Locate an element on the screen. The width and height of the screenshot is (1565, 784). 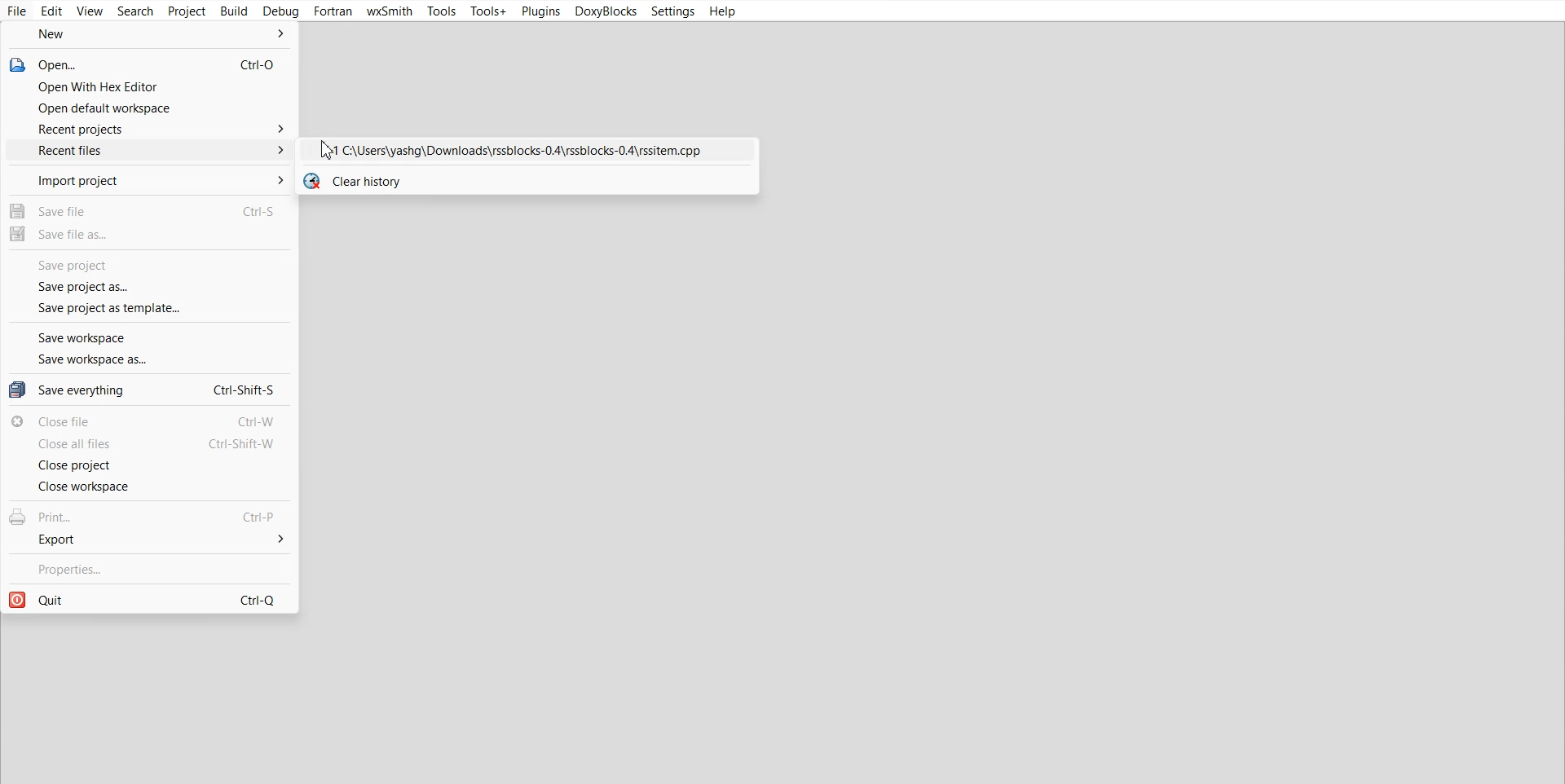
File is located at coordinates (18, 11).